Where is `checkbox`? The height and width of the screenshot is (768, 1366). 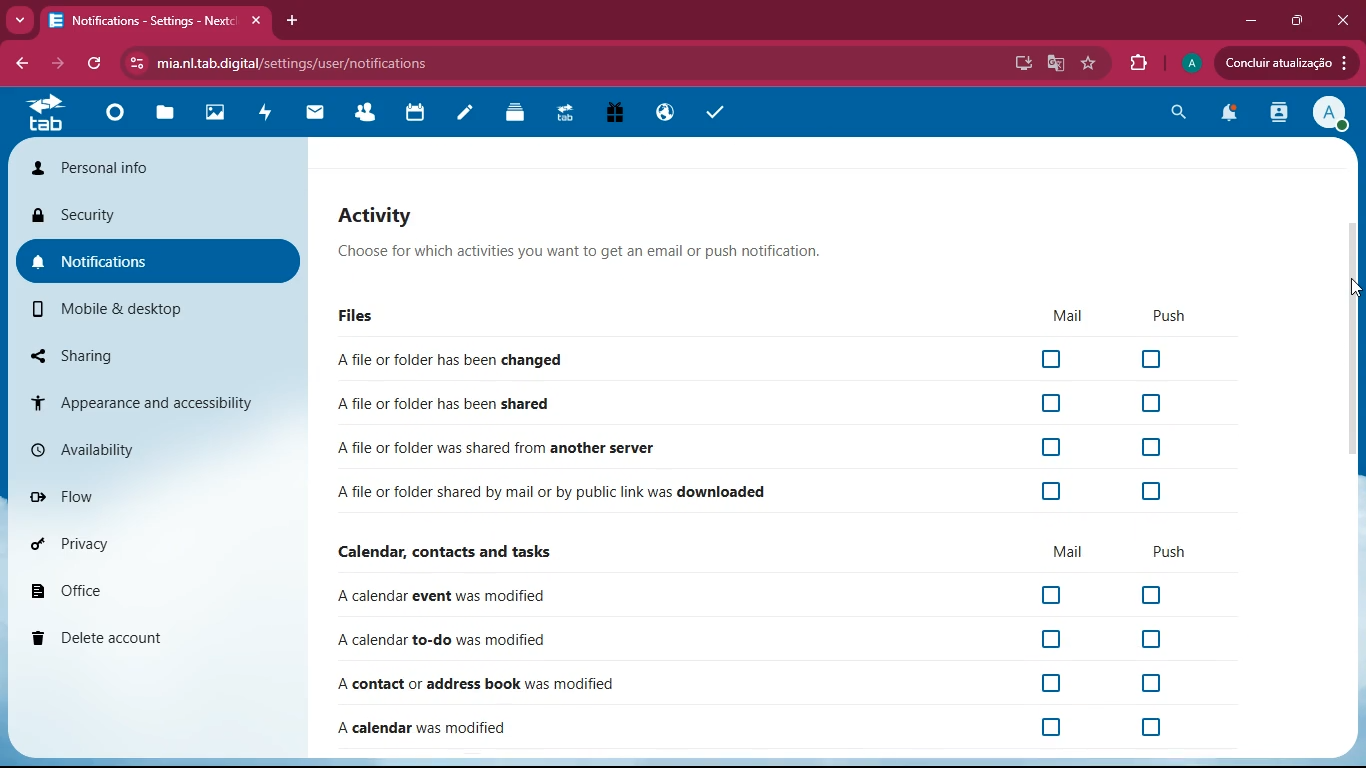
checkbox is located at coordinates (1049, 448).